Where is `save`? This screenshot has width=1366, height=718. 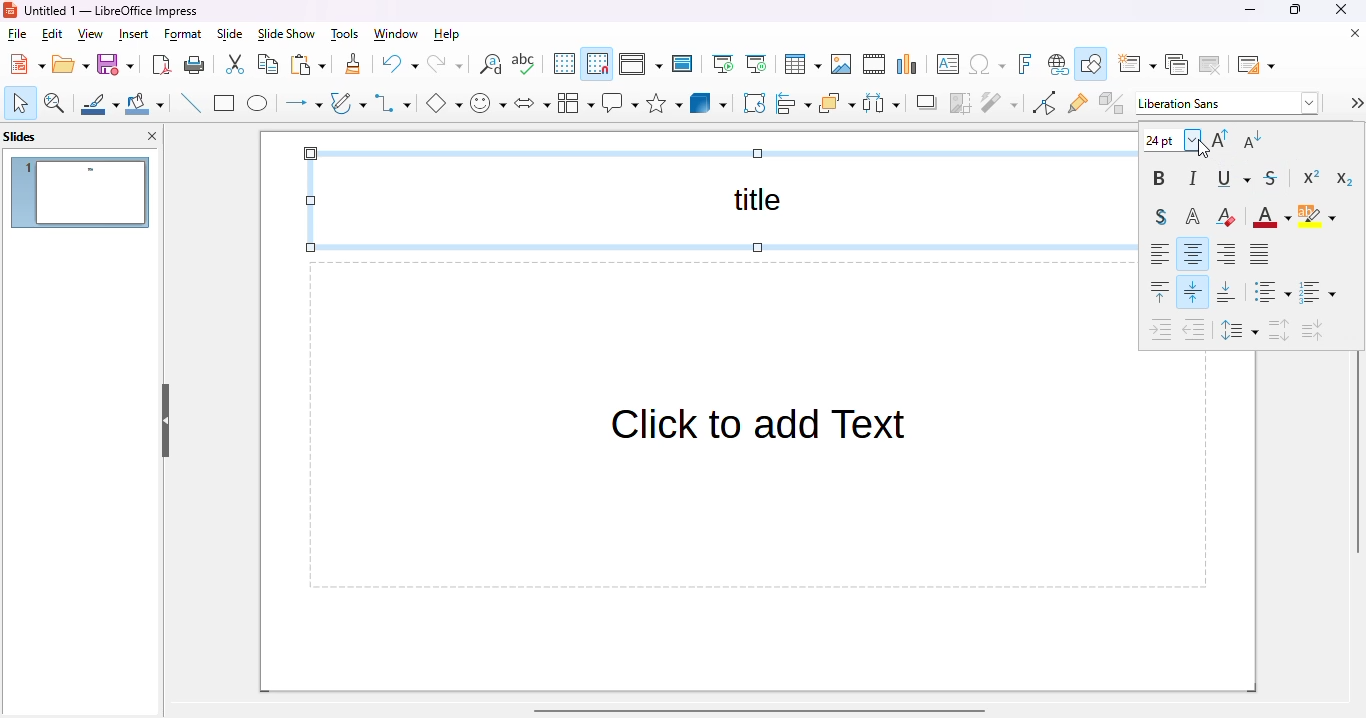 save is located at coordinates (115, 64).